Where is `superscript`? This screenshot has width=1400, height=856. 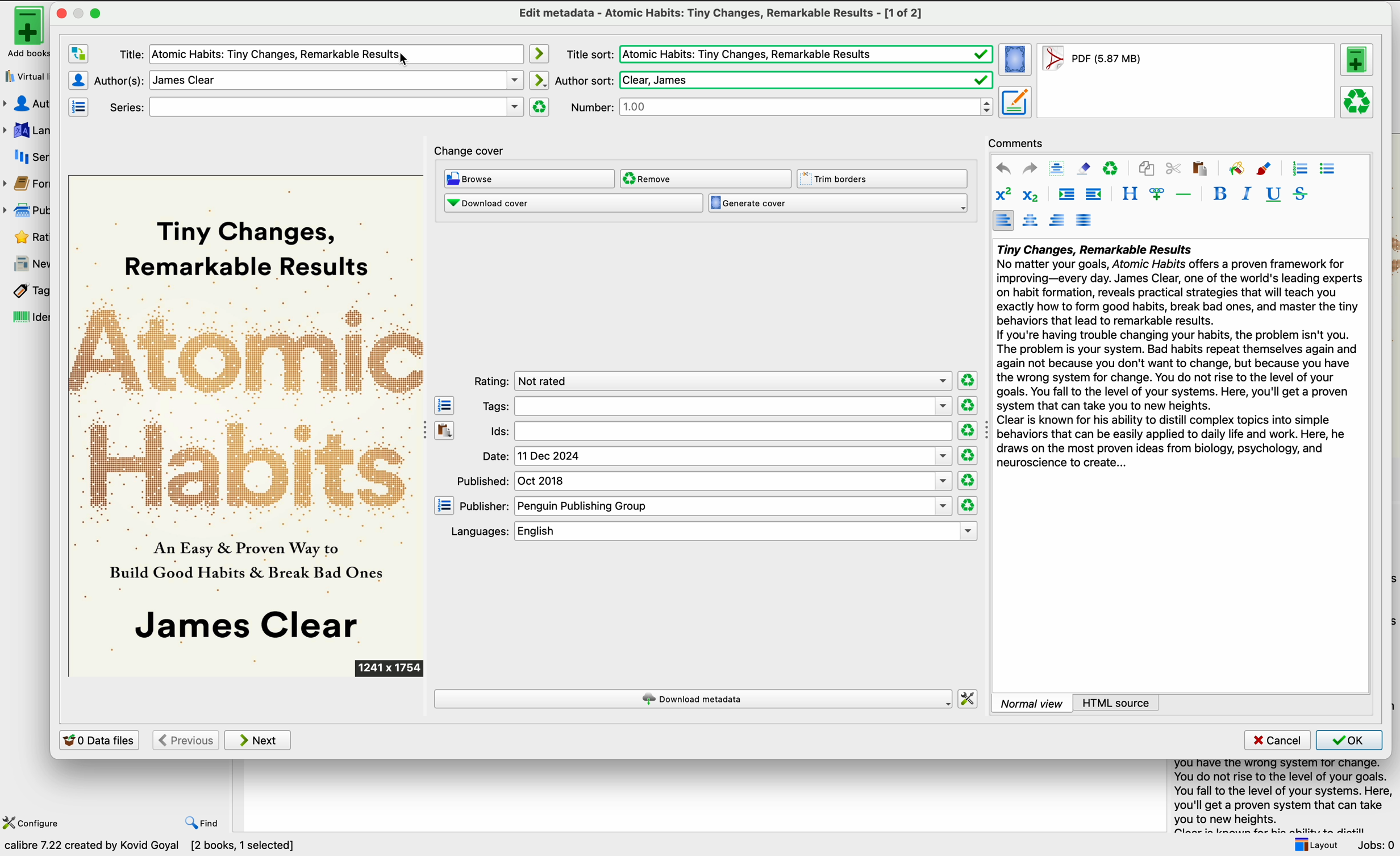
superscript is located at coordinates (1002, 194).